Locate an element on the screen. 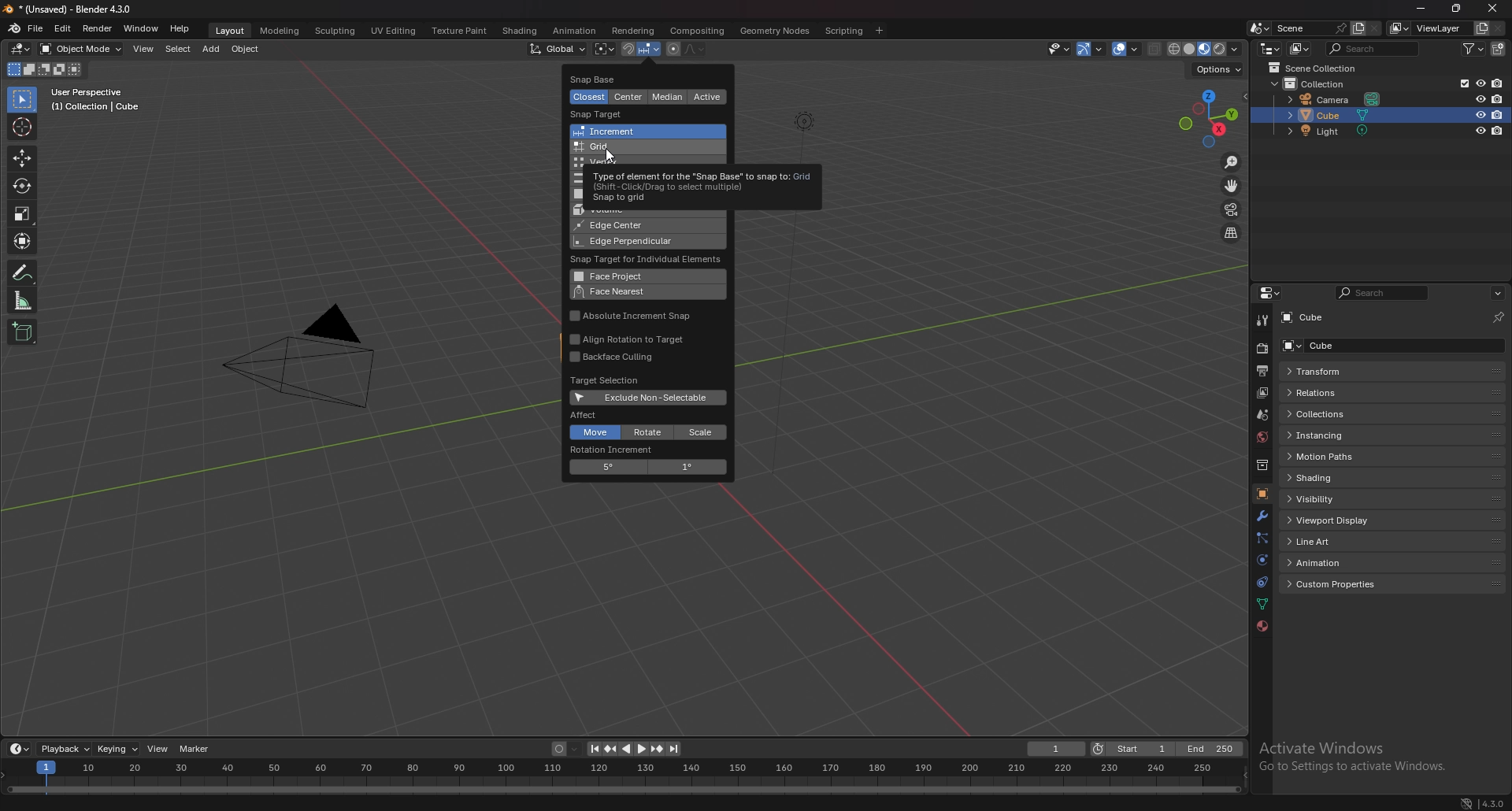 The height and width of the screenshot is (811, 1512). exclude from view layer is located at coordinates (1461, 83).